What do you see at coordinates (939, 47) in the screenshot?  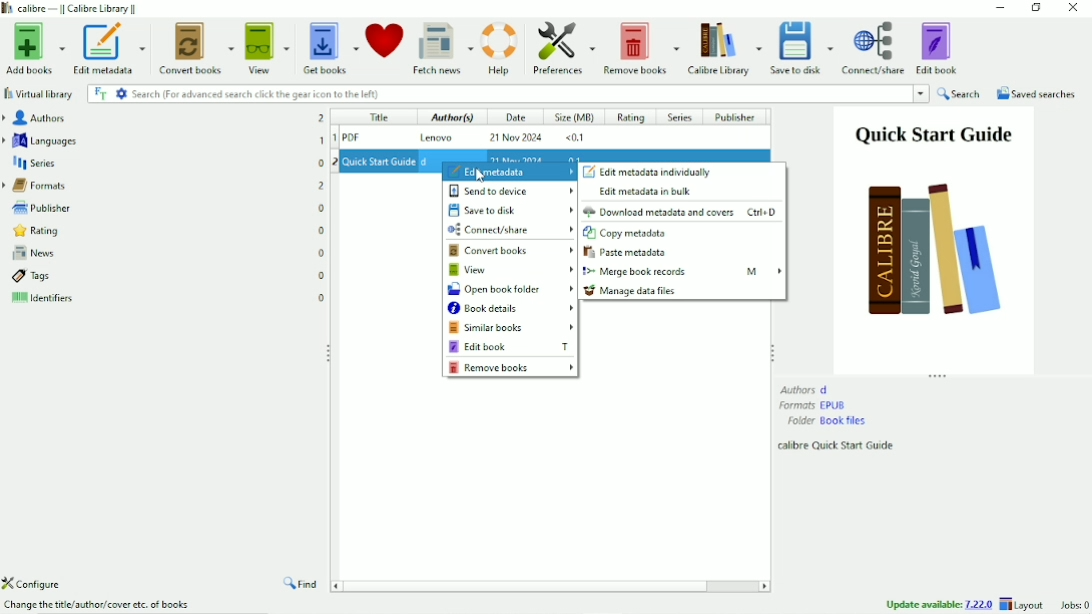 I see `Edit book` at bounding box center [939, 47].